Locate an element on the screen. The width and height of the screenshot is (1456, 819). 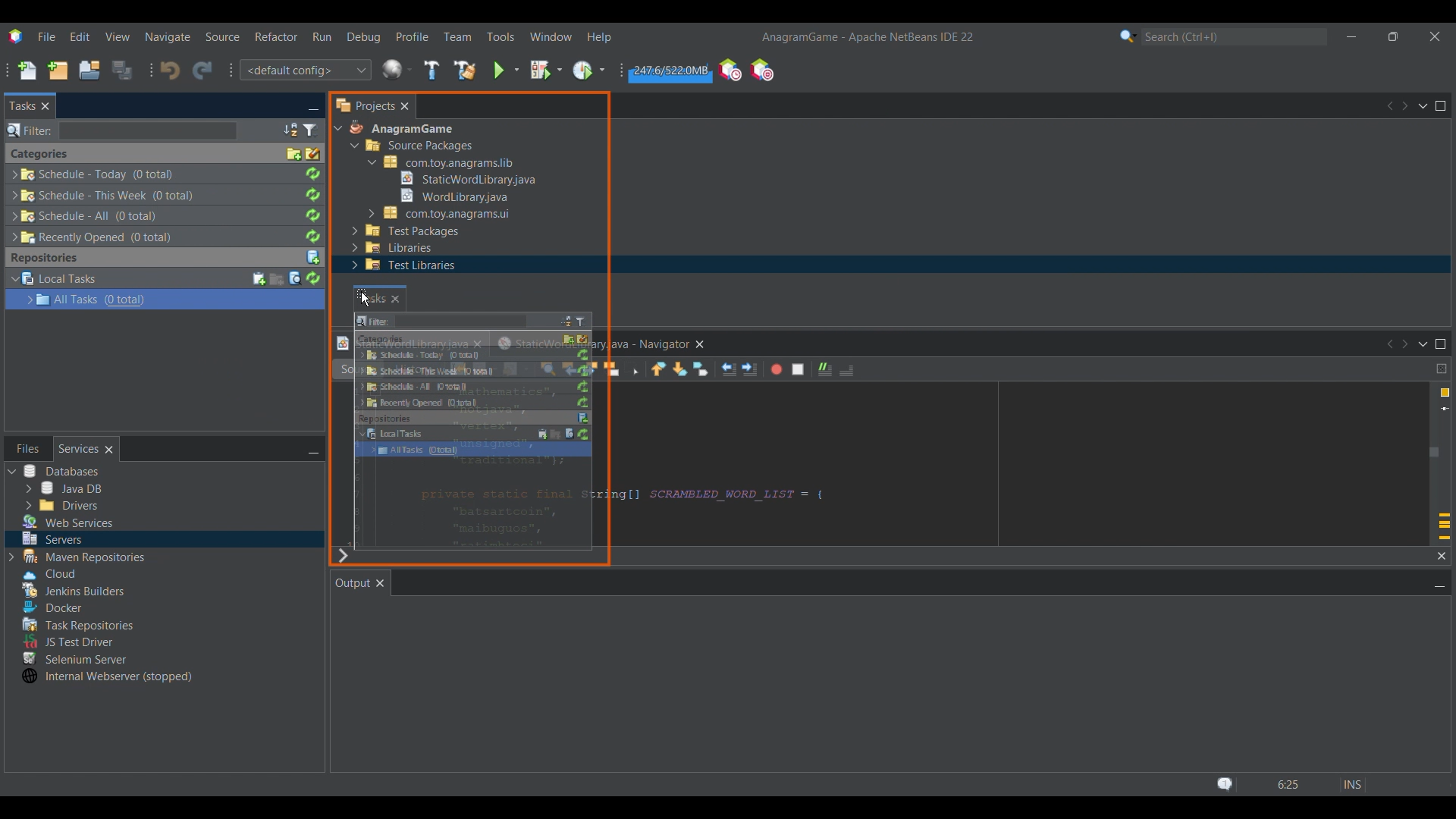
Expand/Collapse is located at coordinates (20, 290).